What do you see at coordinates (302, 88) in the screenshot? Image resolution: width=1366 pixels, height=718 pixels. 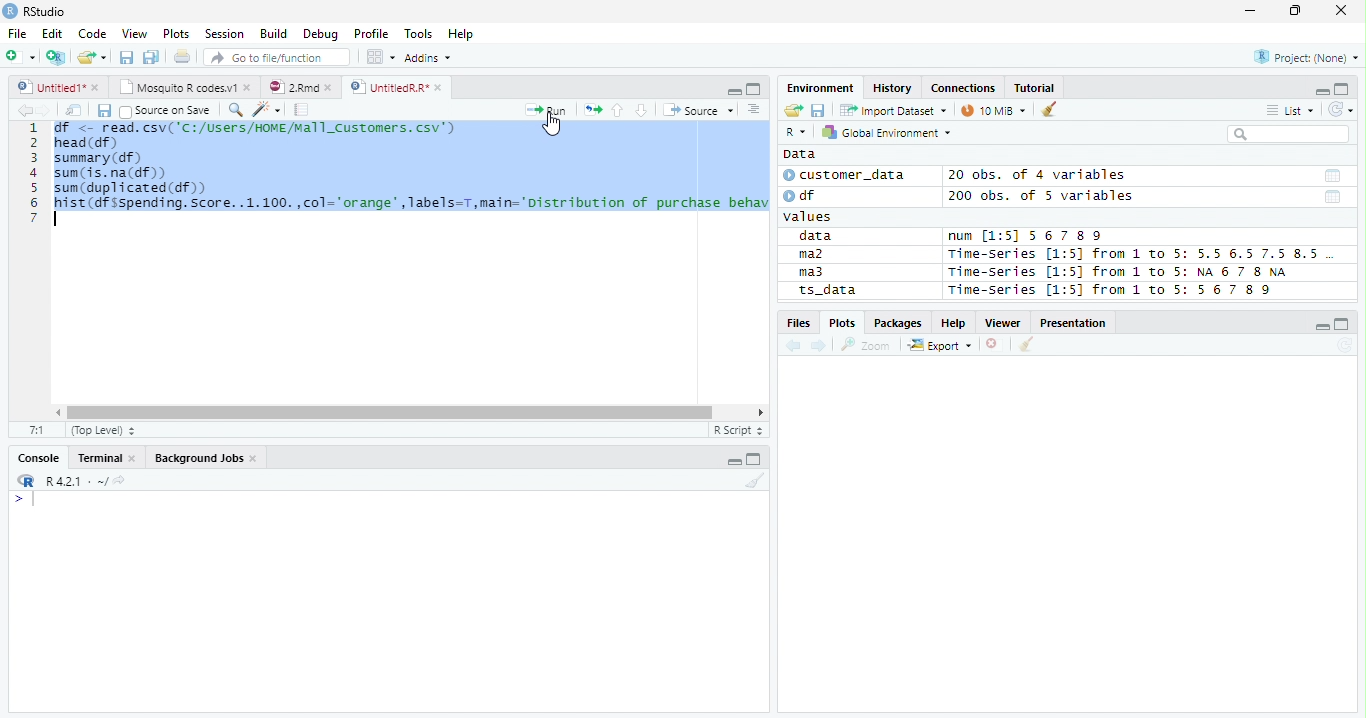 I see `2.Rmd` at bounding box center [302, 88].